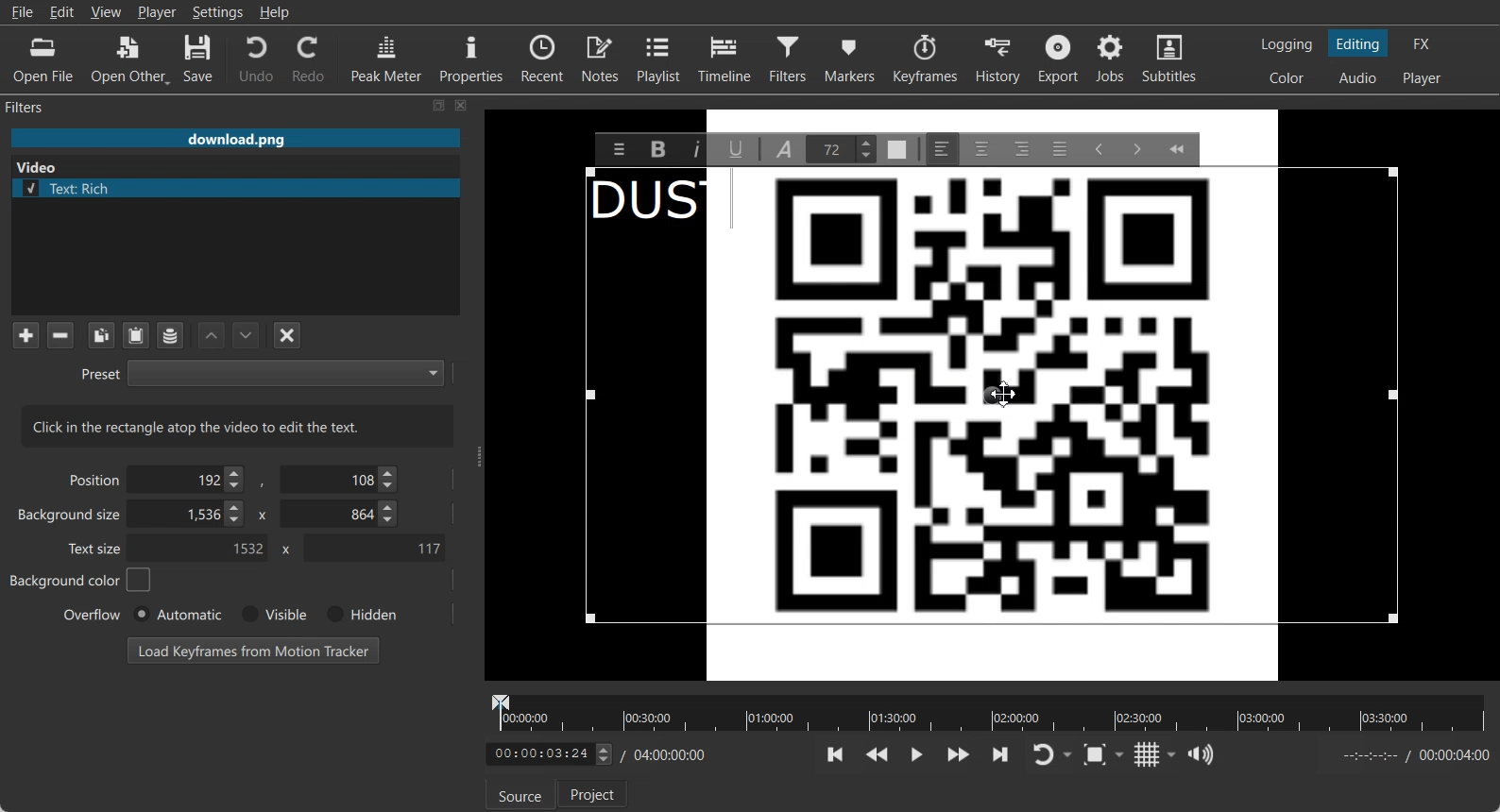 The image size is (1500, 812). I want to click on Move Cursor, so click(1003, 393).